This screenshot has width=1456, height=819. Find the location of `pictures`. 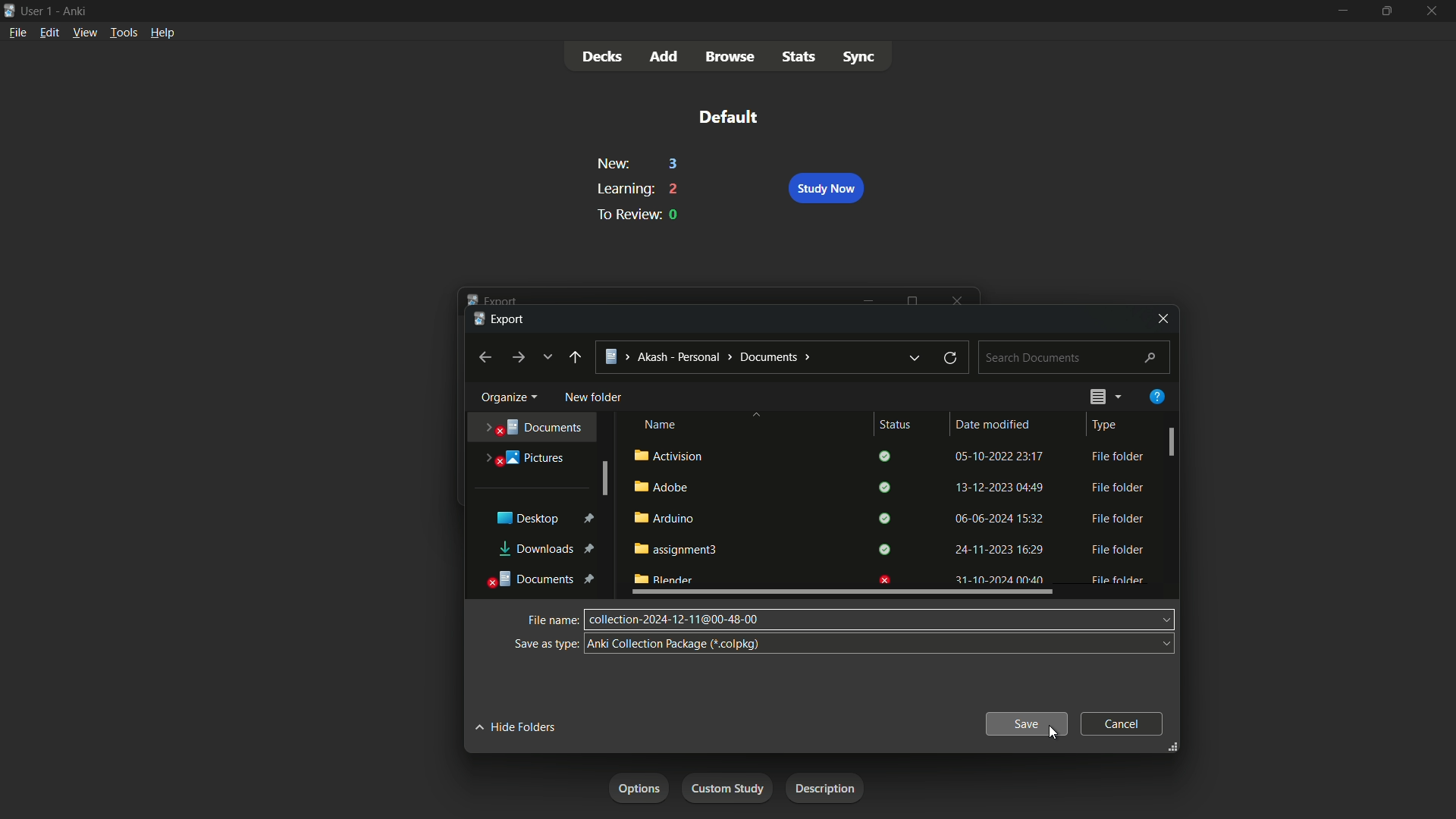

pictures is located at coordinates (526, 456).